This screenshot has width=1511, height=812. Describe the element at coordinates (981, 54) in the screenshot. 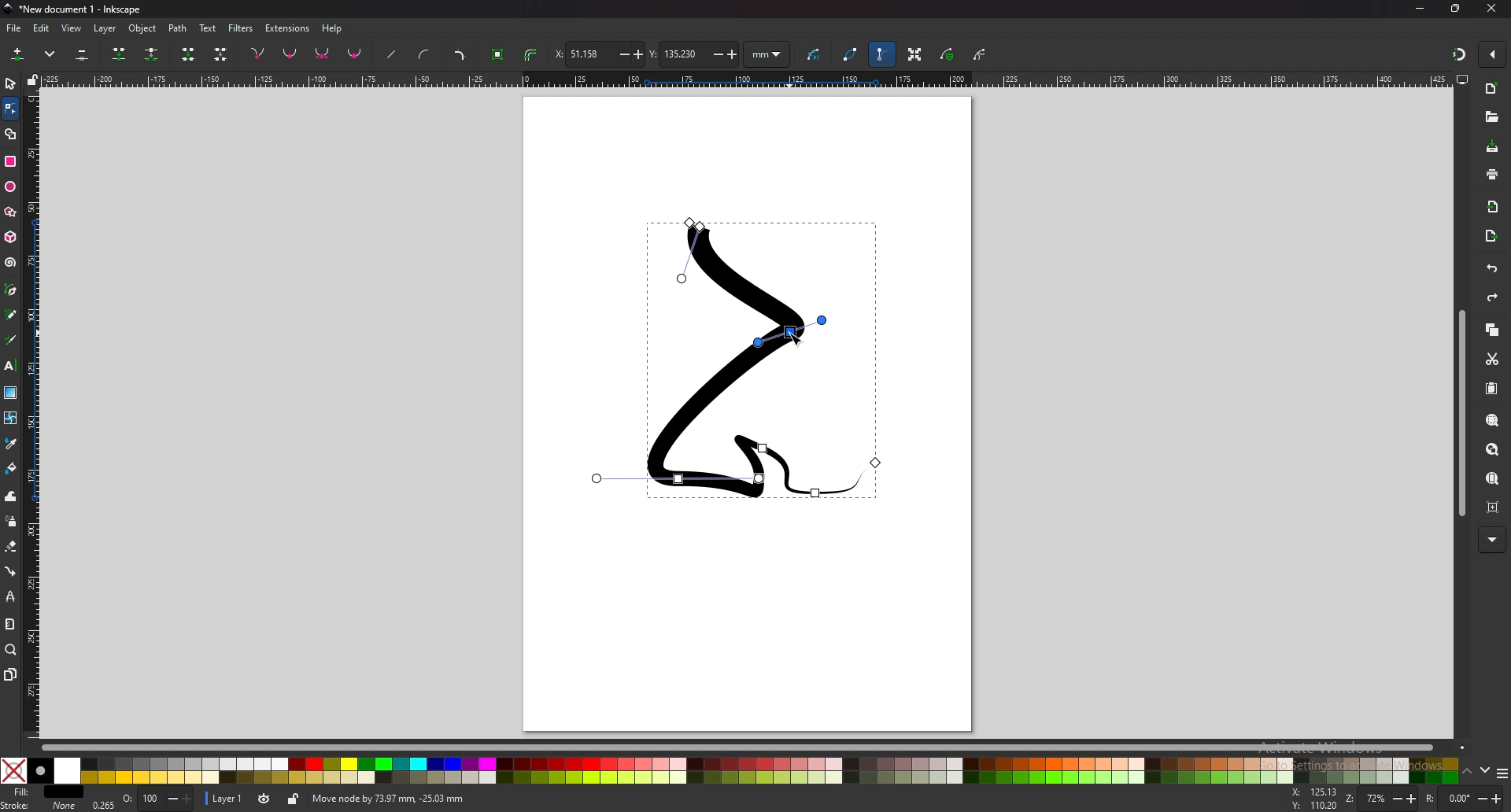

I see `show clipping path` at that location.